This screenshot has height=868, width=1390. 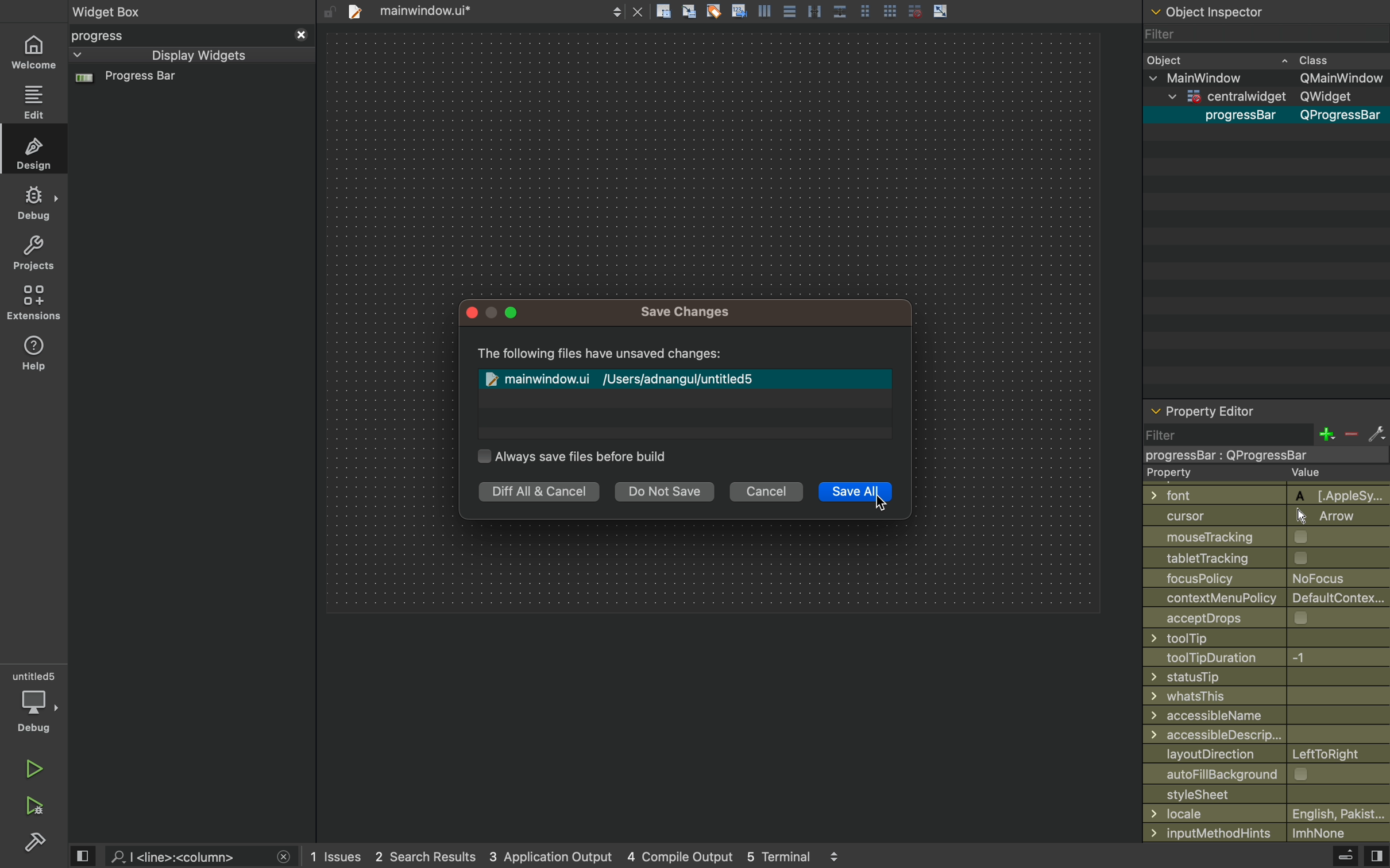 I want to click on search bar, so click(x=199, y=857).